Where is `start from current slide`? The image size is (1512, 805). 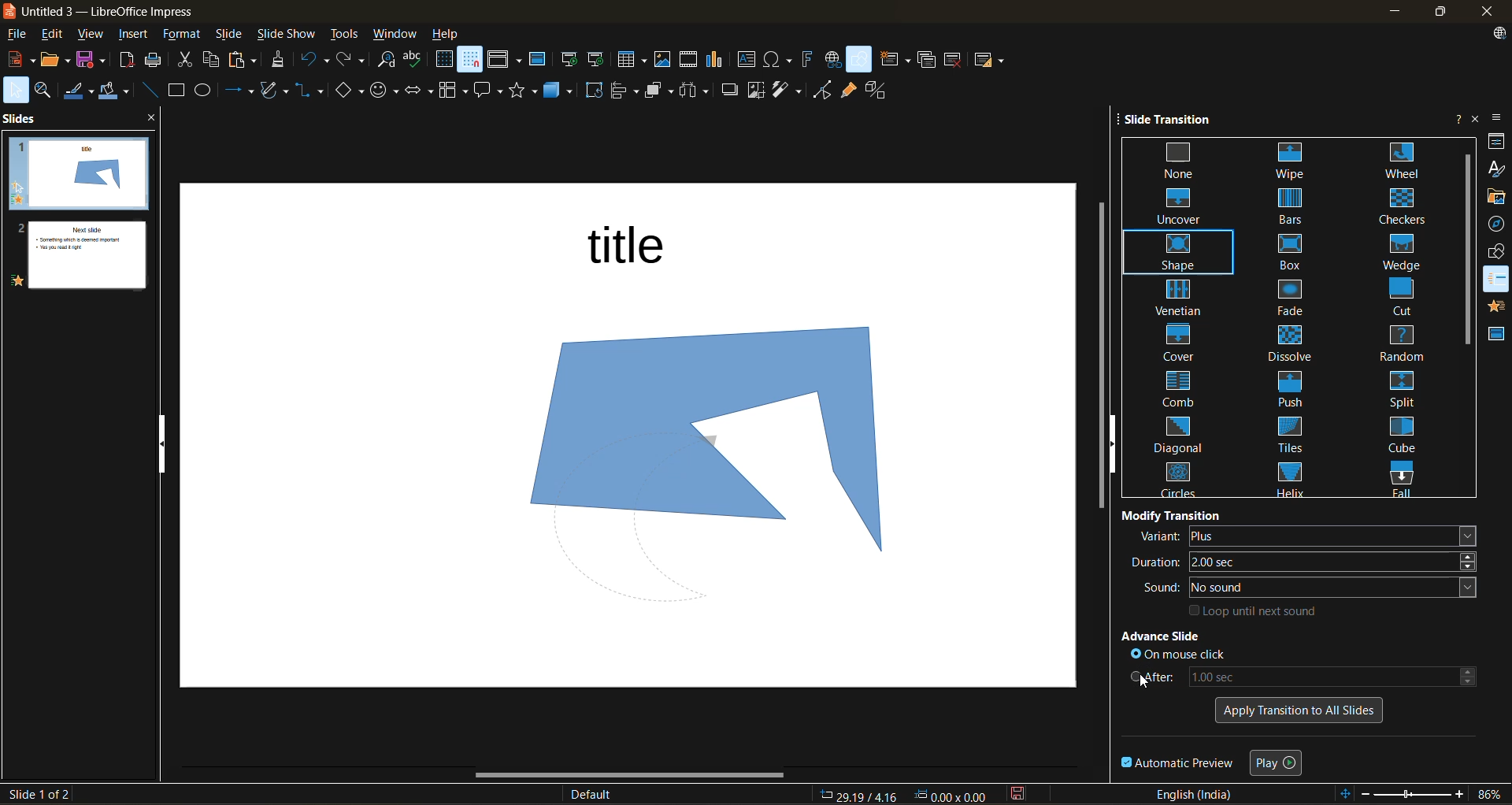 start from current slide is located at coordinates (598, 59).